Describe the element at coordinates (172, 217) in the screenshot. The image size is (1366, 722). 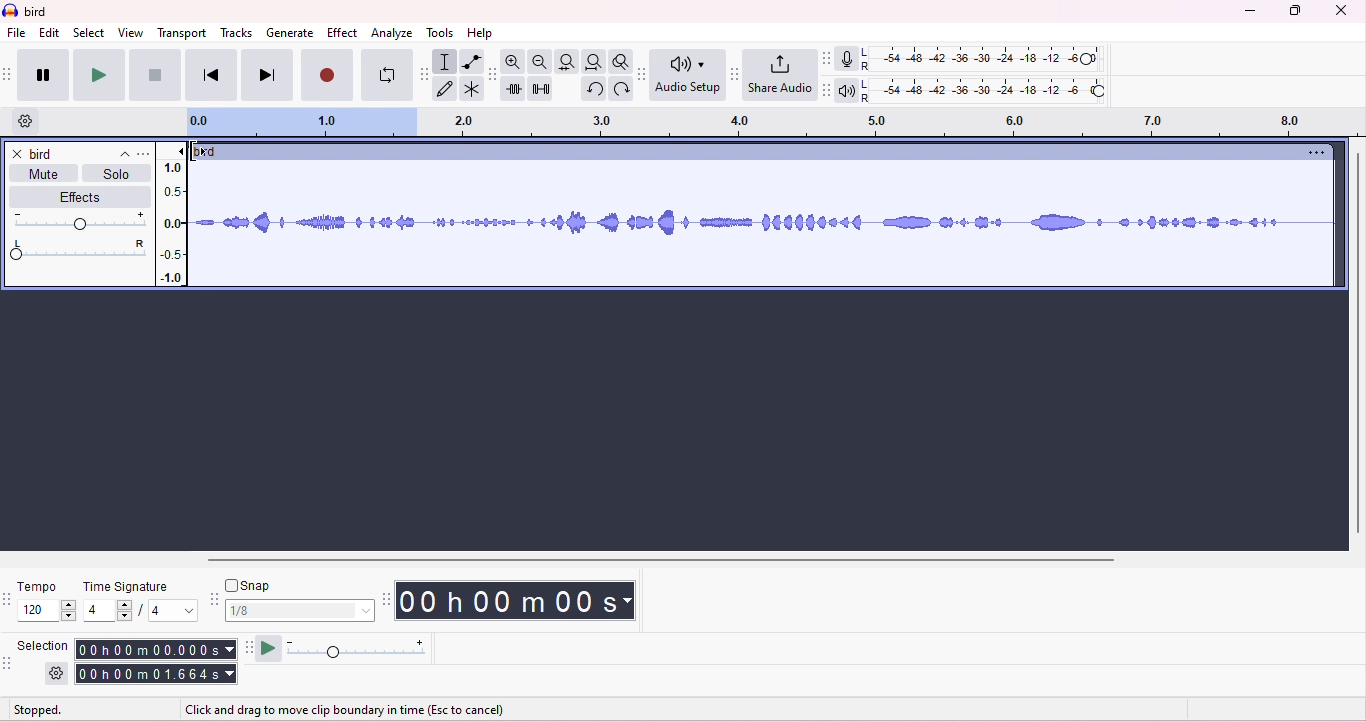
I see `amplitude` at that location.